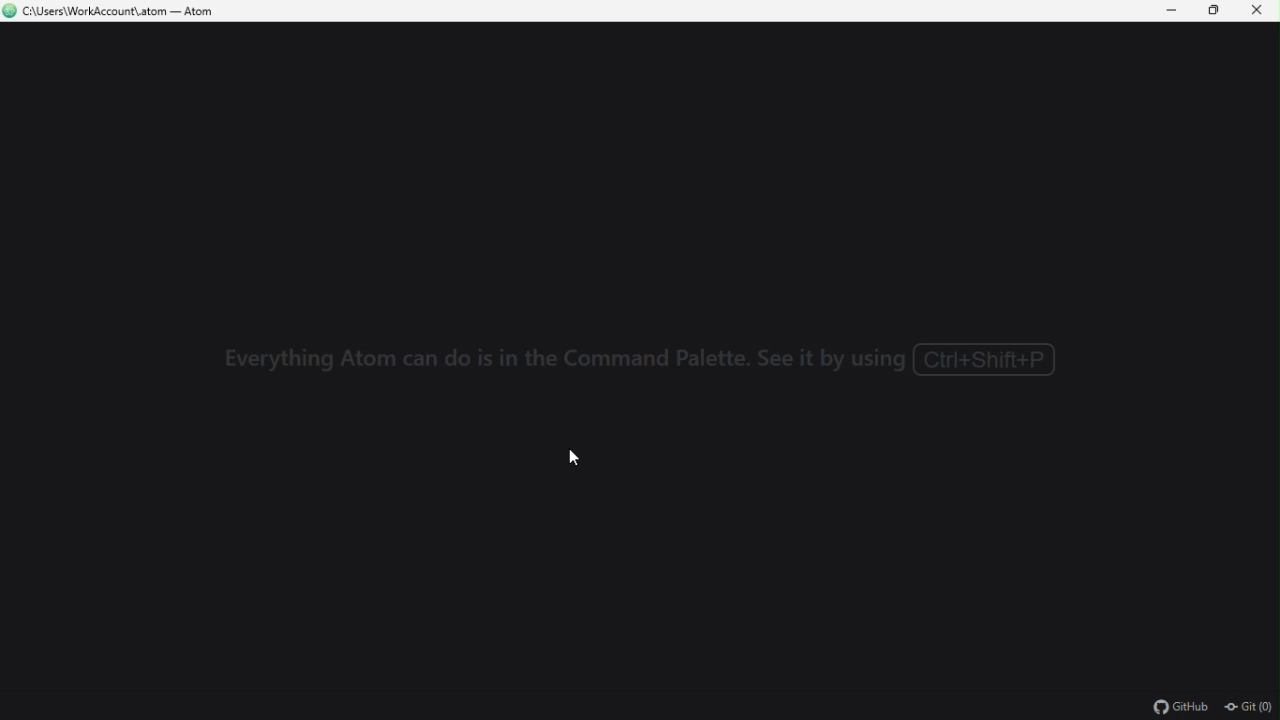 This screenshot has width=1280, height=720. Describe the element at coordinates (1258, 13) in the screenshot. I see `close` at that location.